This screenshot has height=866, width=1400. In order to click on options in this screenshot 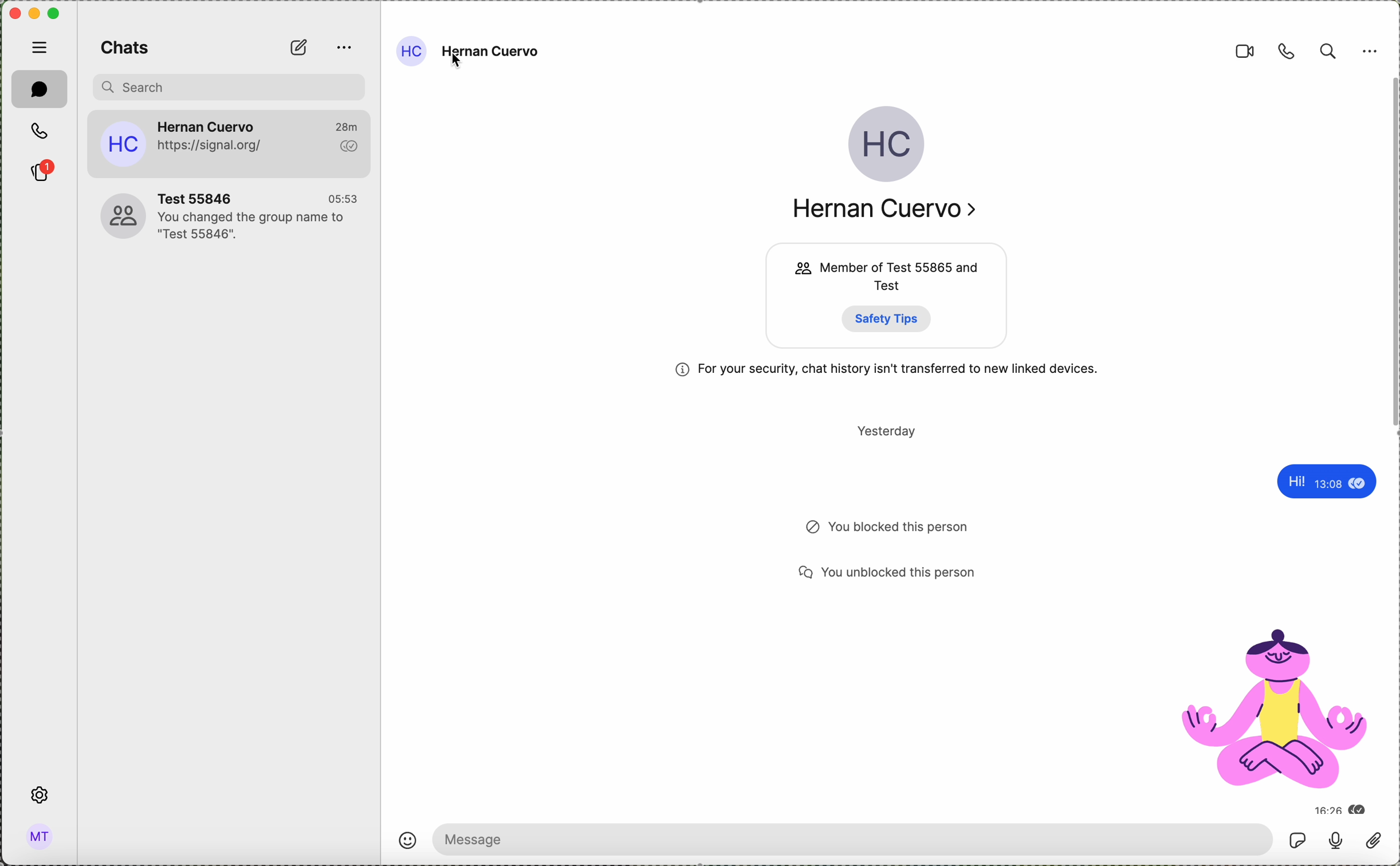, I will do `click(1372, 52)`.